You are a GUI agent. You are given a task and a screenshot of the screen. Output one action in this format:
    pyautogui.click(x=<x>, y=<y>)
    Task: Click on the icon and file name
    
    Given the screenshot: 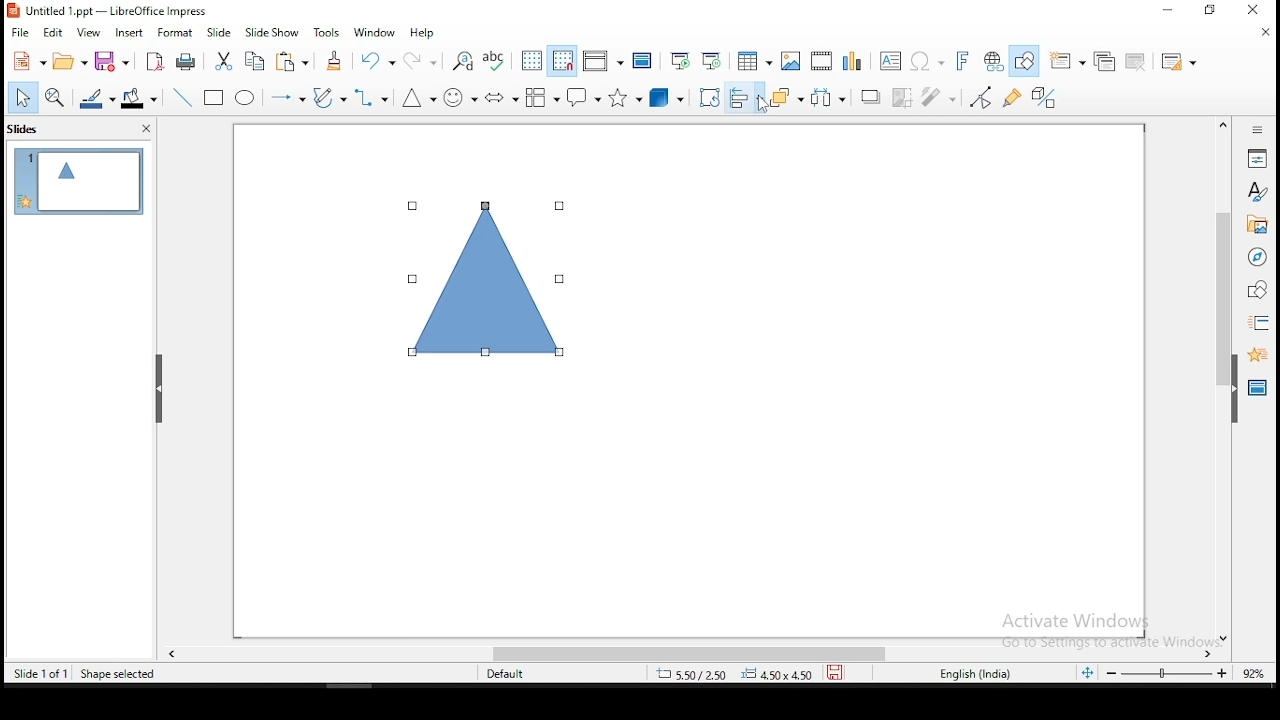 What is the action you would take?
    pyautogui.click(x=111, y=11)
    